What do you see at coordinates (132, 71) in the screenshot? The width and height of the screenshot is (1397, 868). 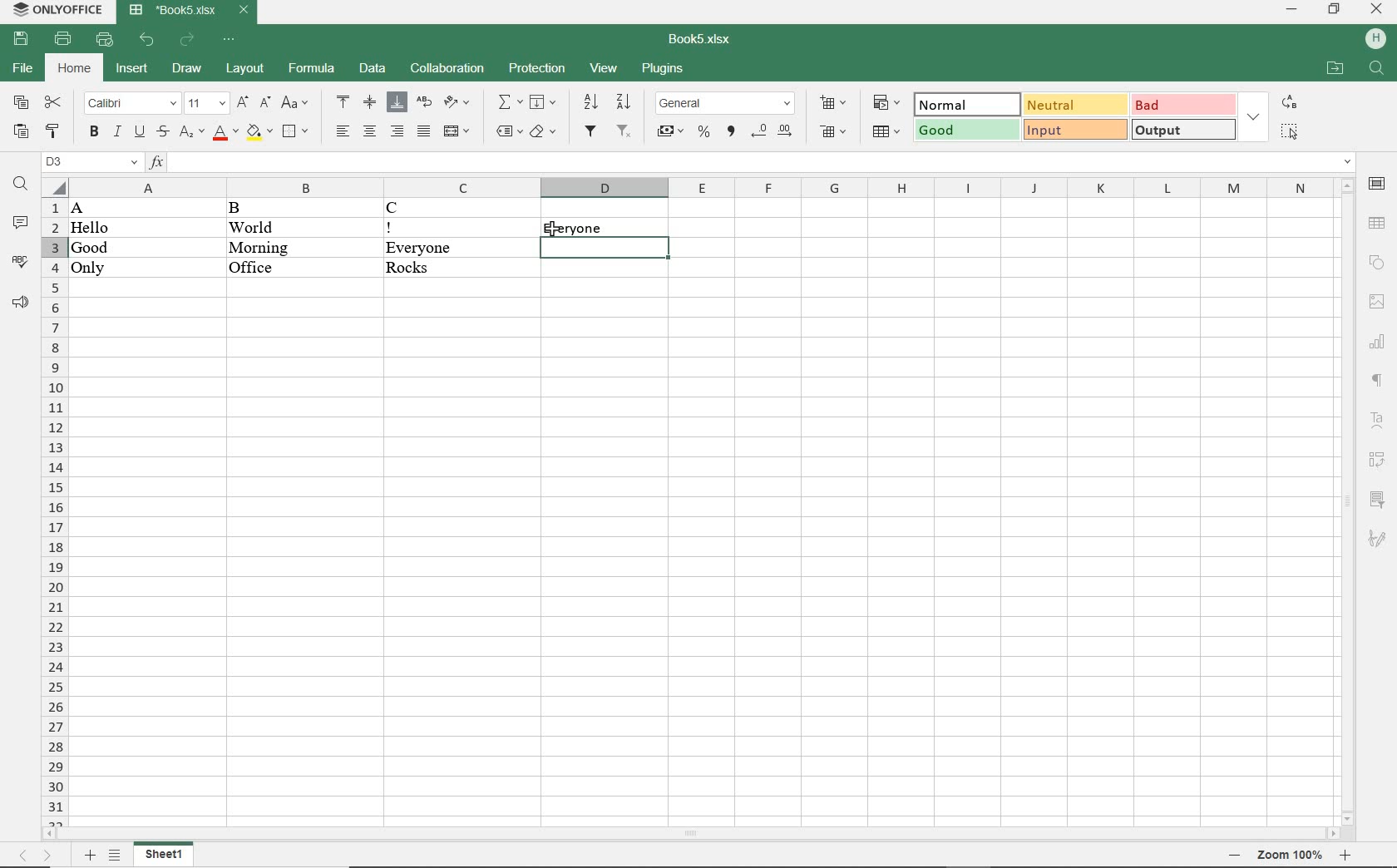 I see `insert` at bounding box center [132, 71].